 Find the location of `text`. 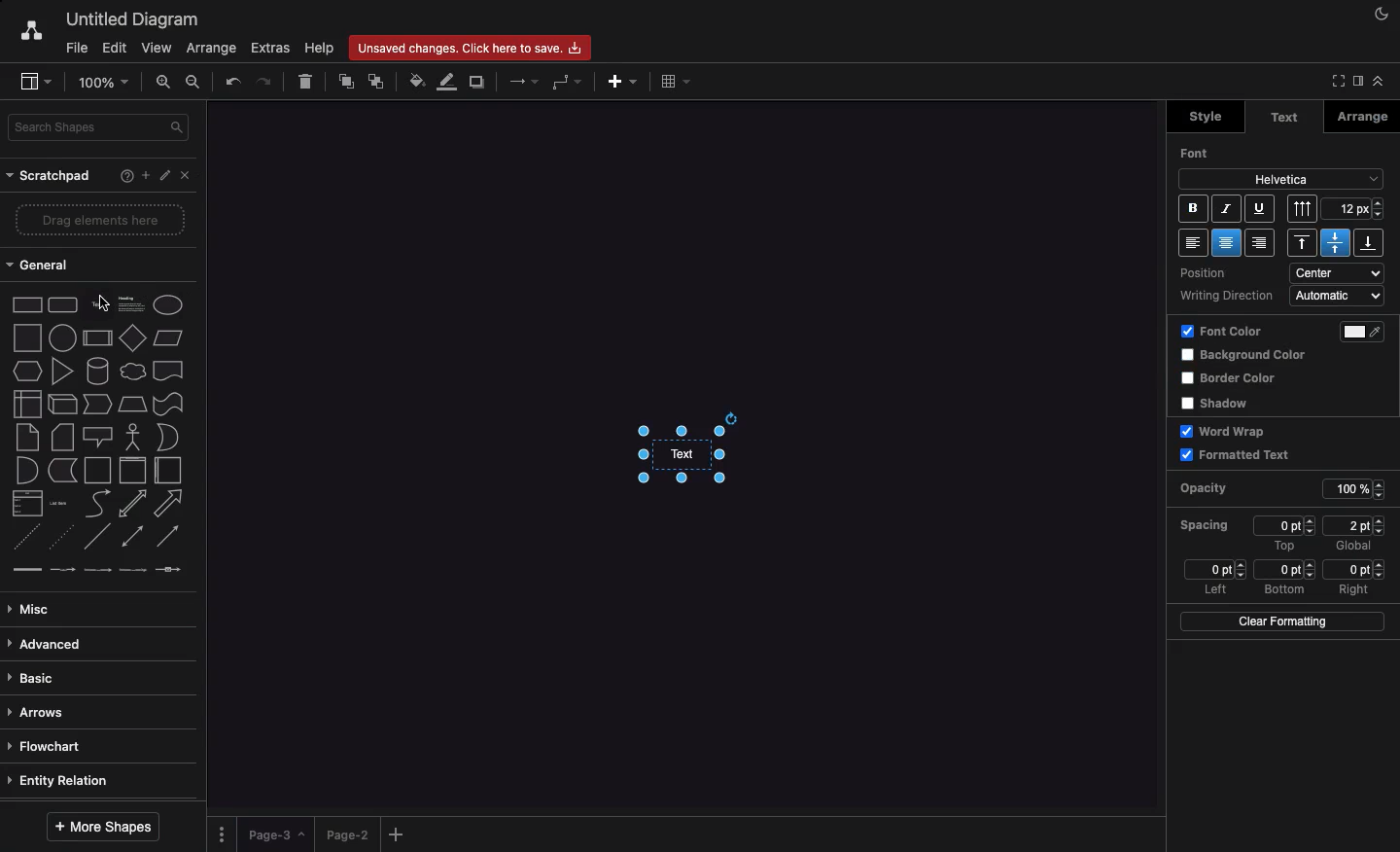

text is located at coordinates (85, 289).